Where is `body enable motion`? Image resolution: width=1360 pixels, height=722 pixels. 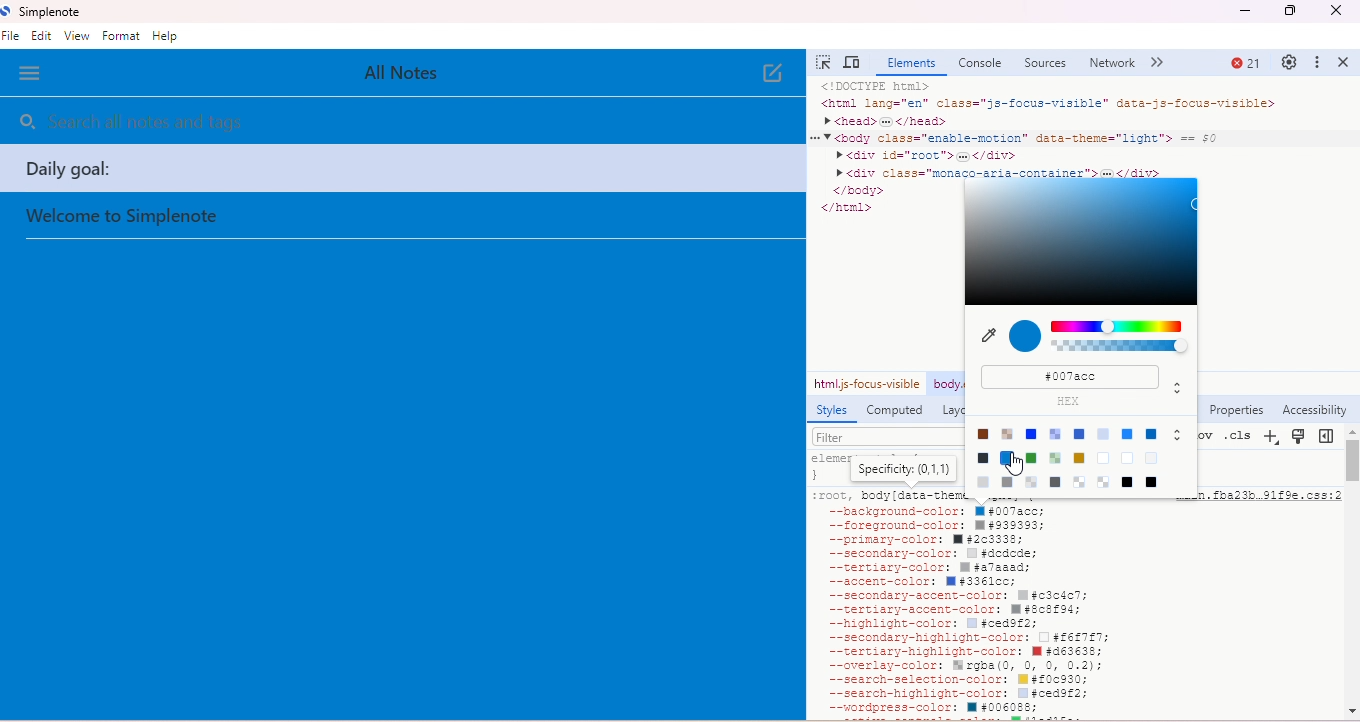 body enable motion is located at coordinates (947, 386).